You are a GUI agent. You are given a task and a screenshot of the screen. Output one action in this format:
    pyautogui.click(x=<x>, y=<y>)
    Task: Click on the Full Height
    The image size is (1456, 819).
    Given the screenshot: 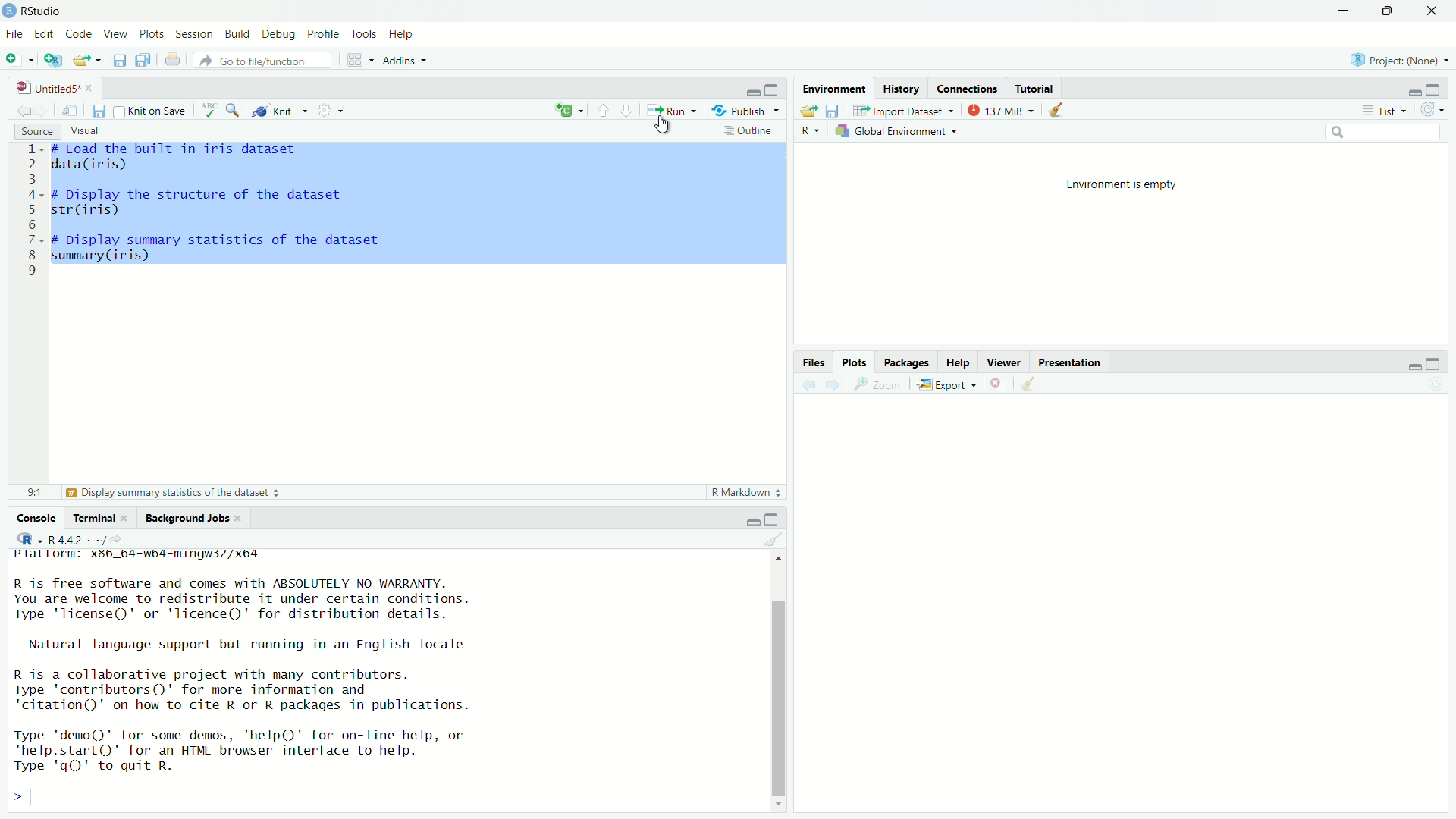 What is the action you would take?
    pyautogui.click(x=1436, y=89)
    